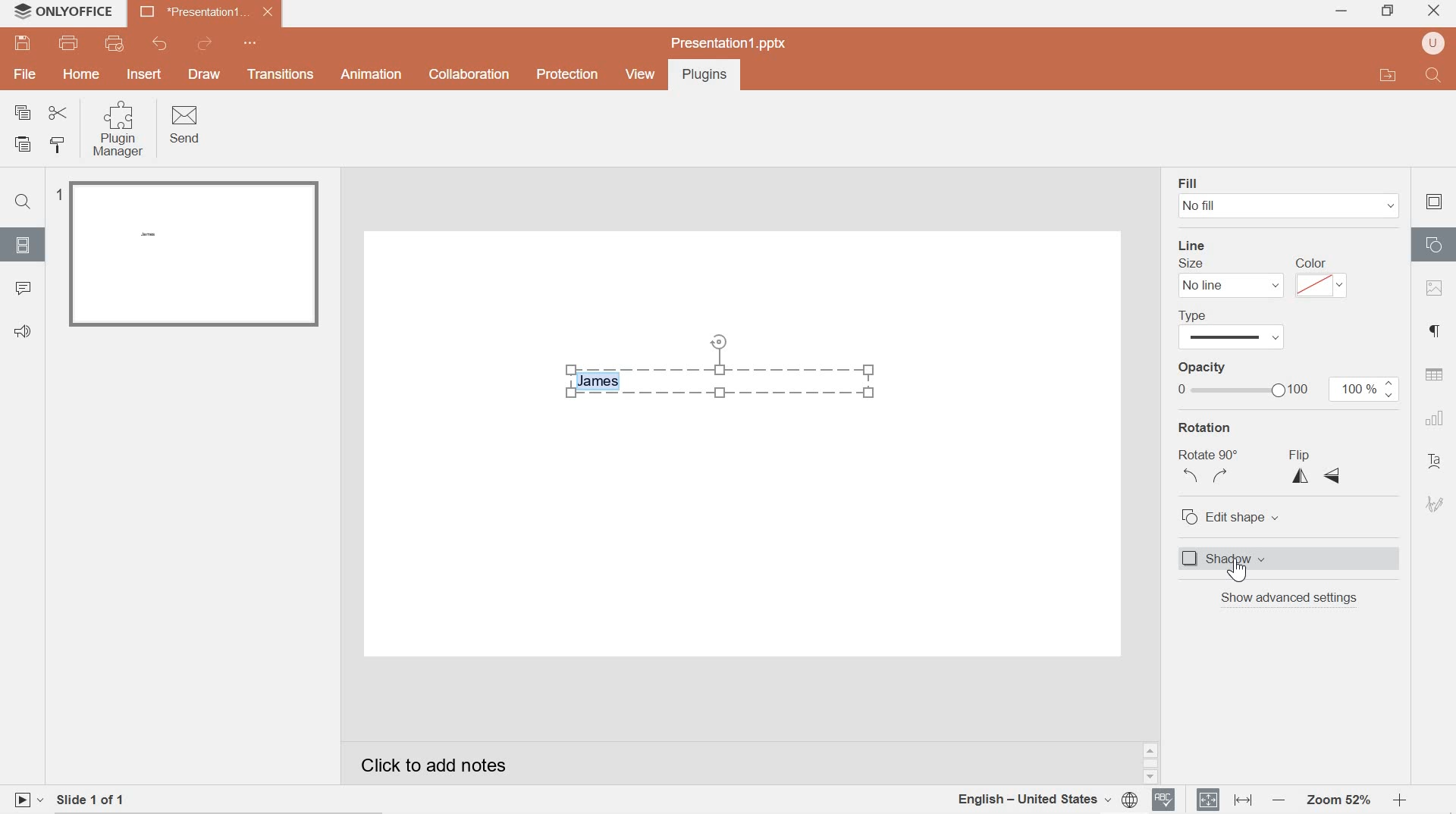 This screenshot has width=1456, height=814. I want to click on paragraph settings, so click(1437, 332).